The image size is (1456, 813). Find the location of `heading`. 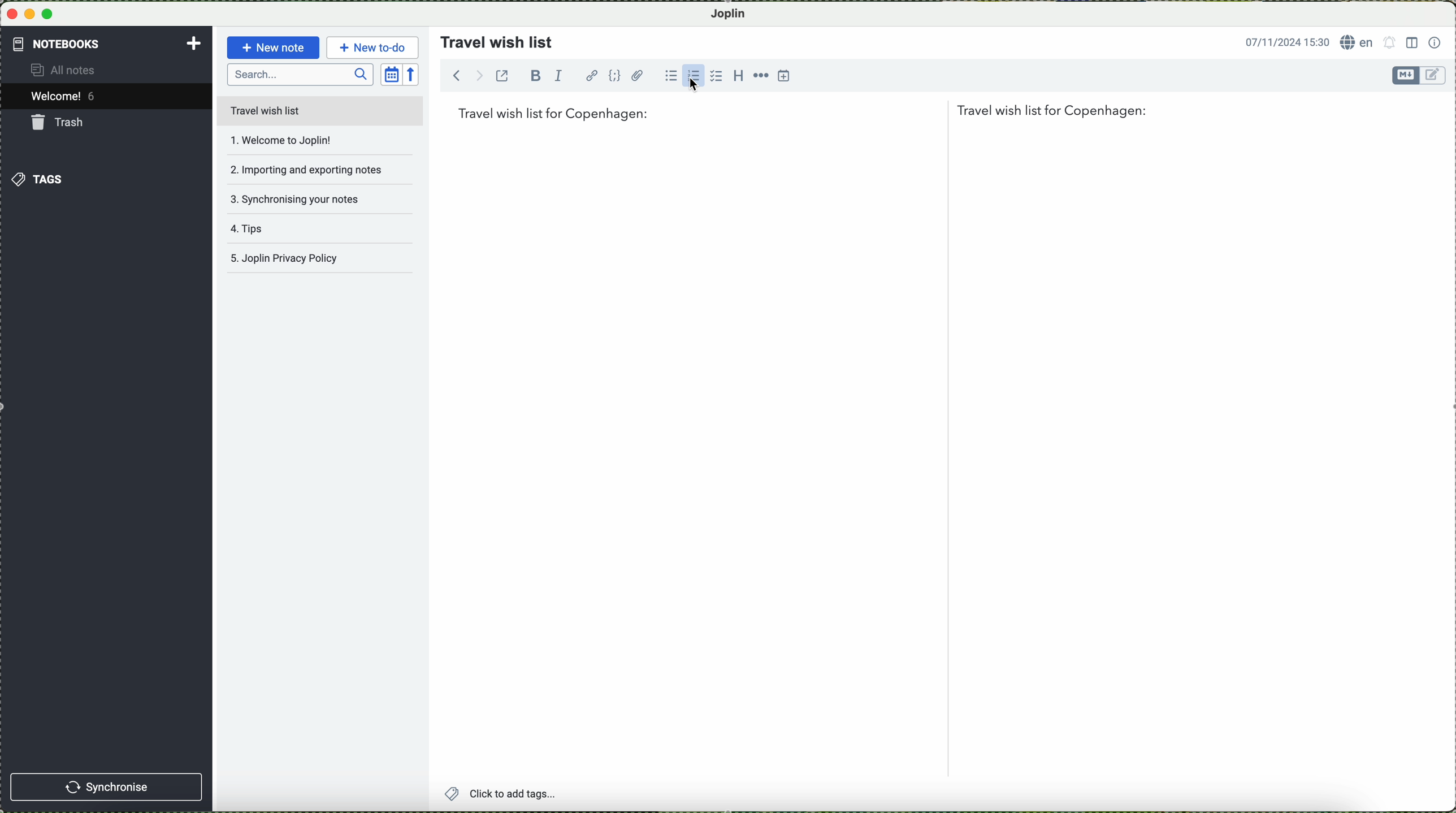

heading is located at coordinates (736, 75).